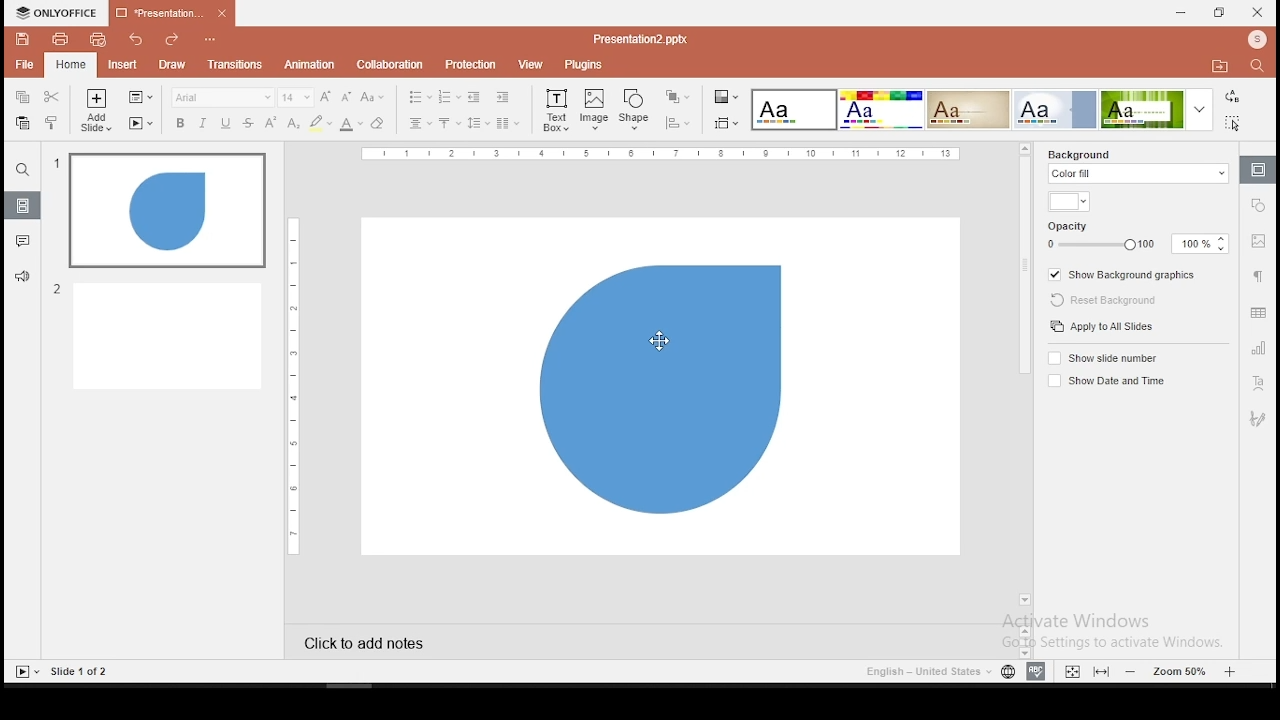 The height and width of the screenshot is (720, 1280). What do you see at coordinates (22, 206) in the screenshot?
I see `slides` at bounding box center [22, 206].